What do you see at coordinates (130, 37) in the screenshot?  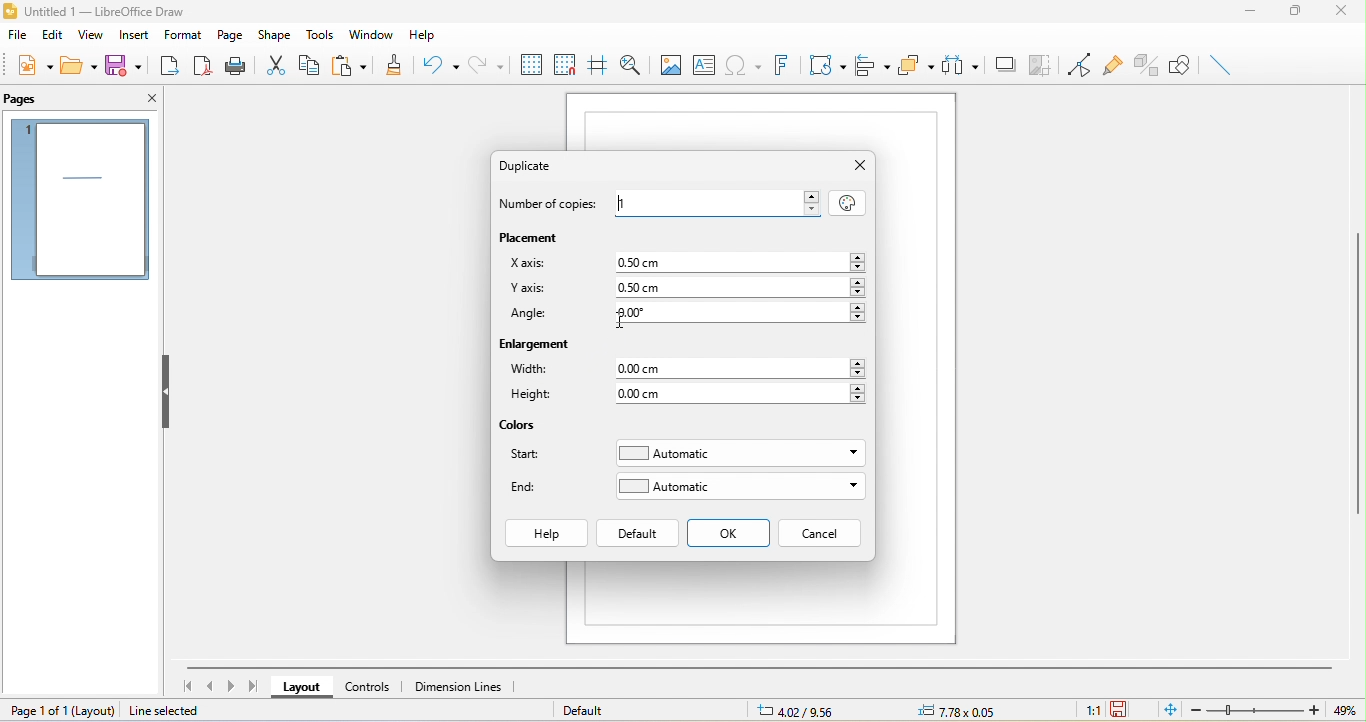 I see `insert` at bounding box center [130, 37].